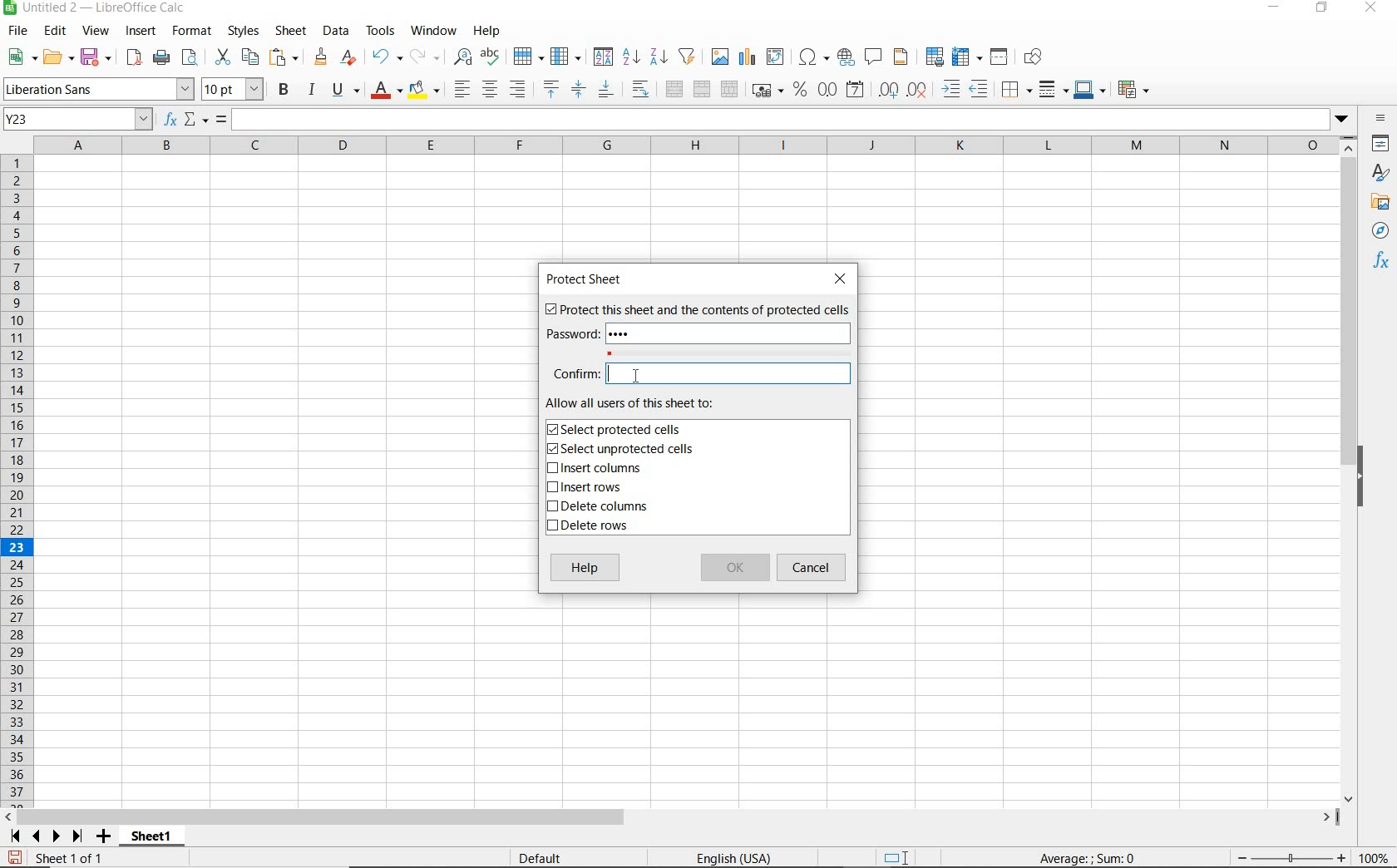  Describe the element at coordinates (776, 57) in the screenshot. I see `INSERT OR EDIT PIVOT TABLE` at that location.